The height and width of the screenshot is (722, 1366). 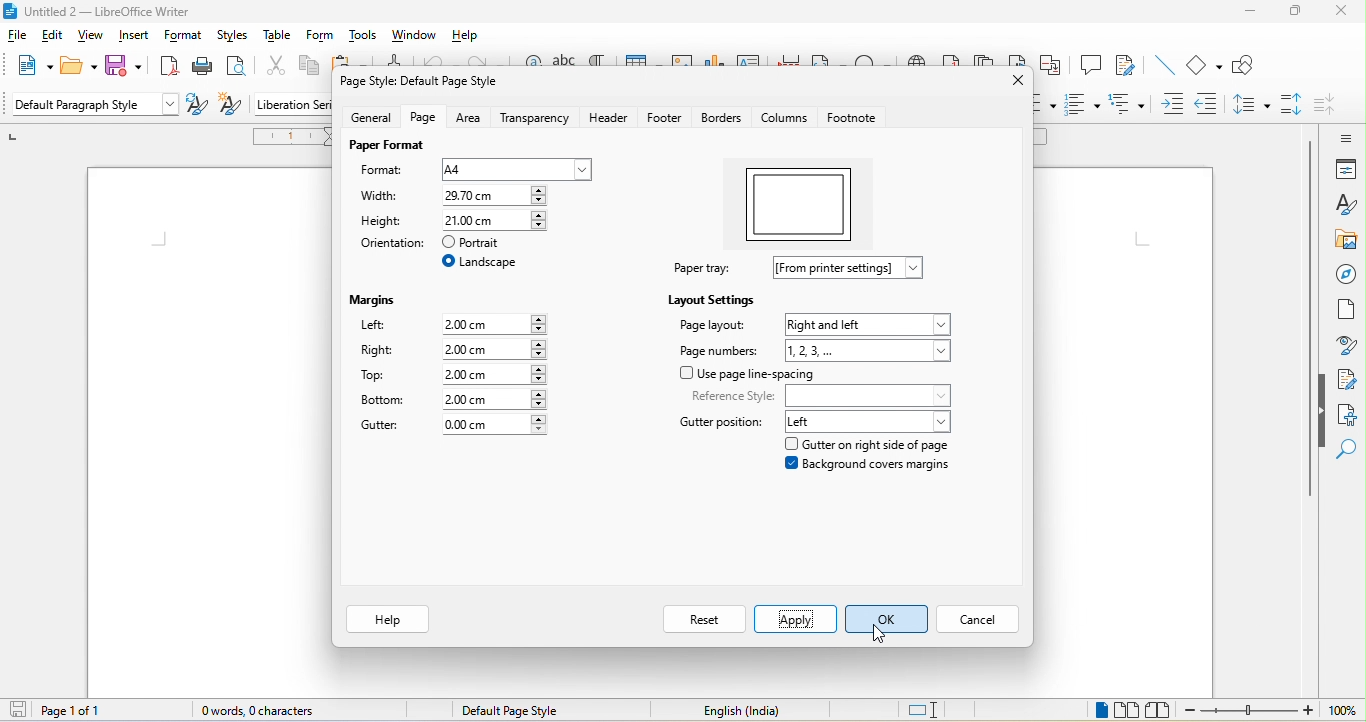 What do you see at coordinates (1088, 67) in the screenshot?
I see `comment` at bounding box center [1088, 67].